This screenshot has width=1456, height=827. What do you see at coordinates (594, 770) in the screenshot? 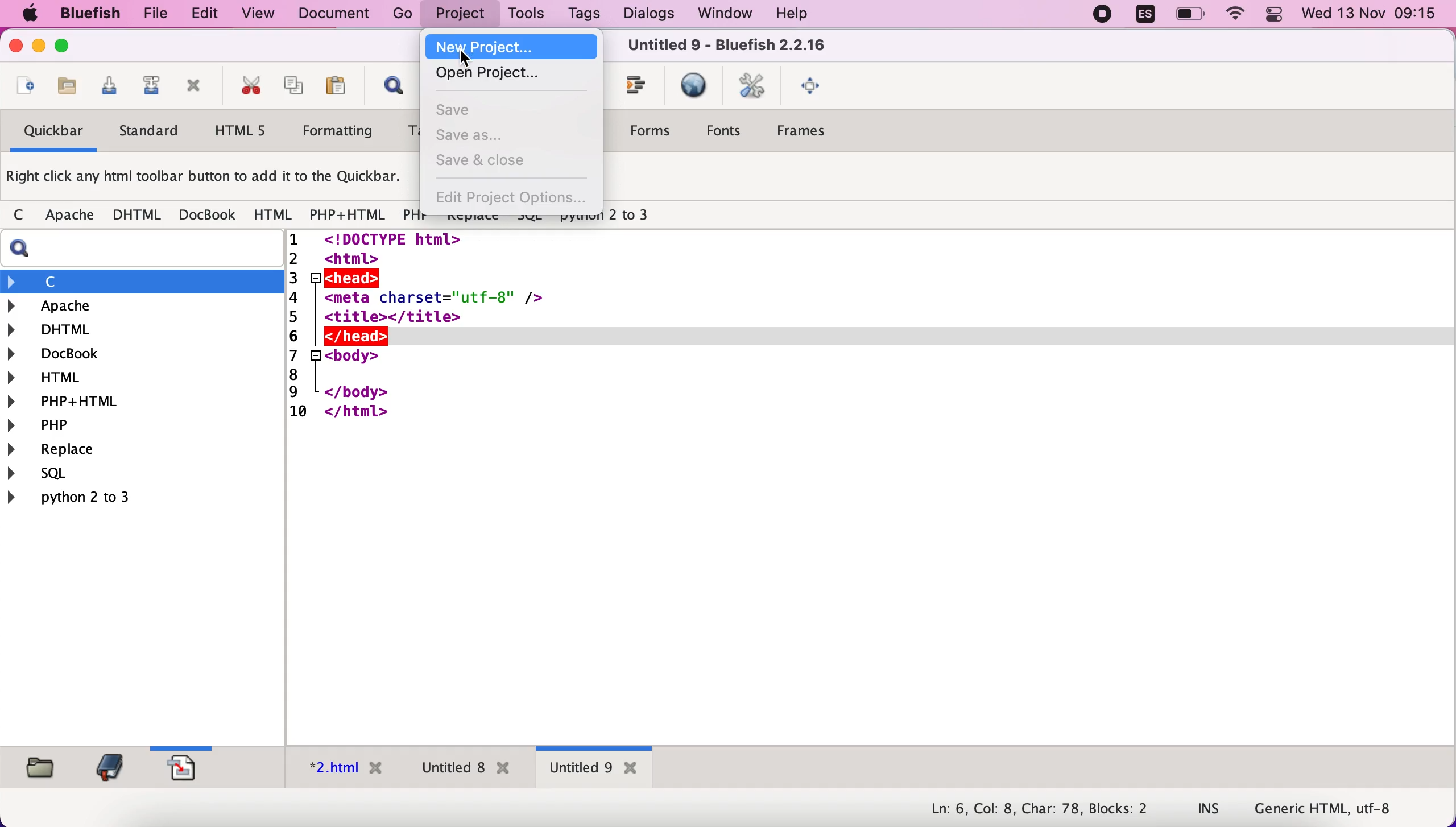
I see `tab` at bounding box center [594, 770].